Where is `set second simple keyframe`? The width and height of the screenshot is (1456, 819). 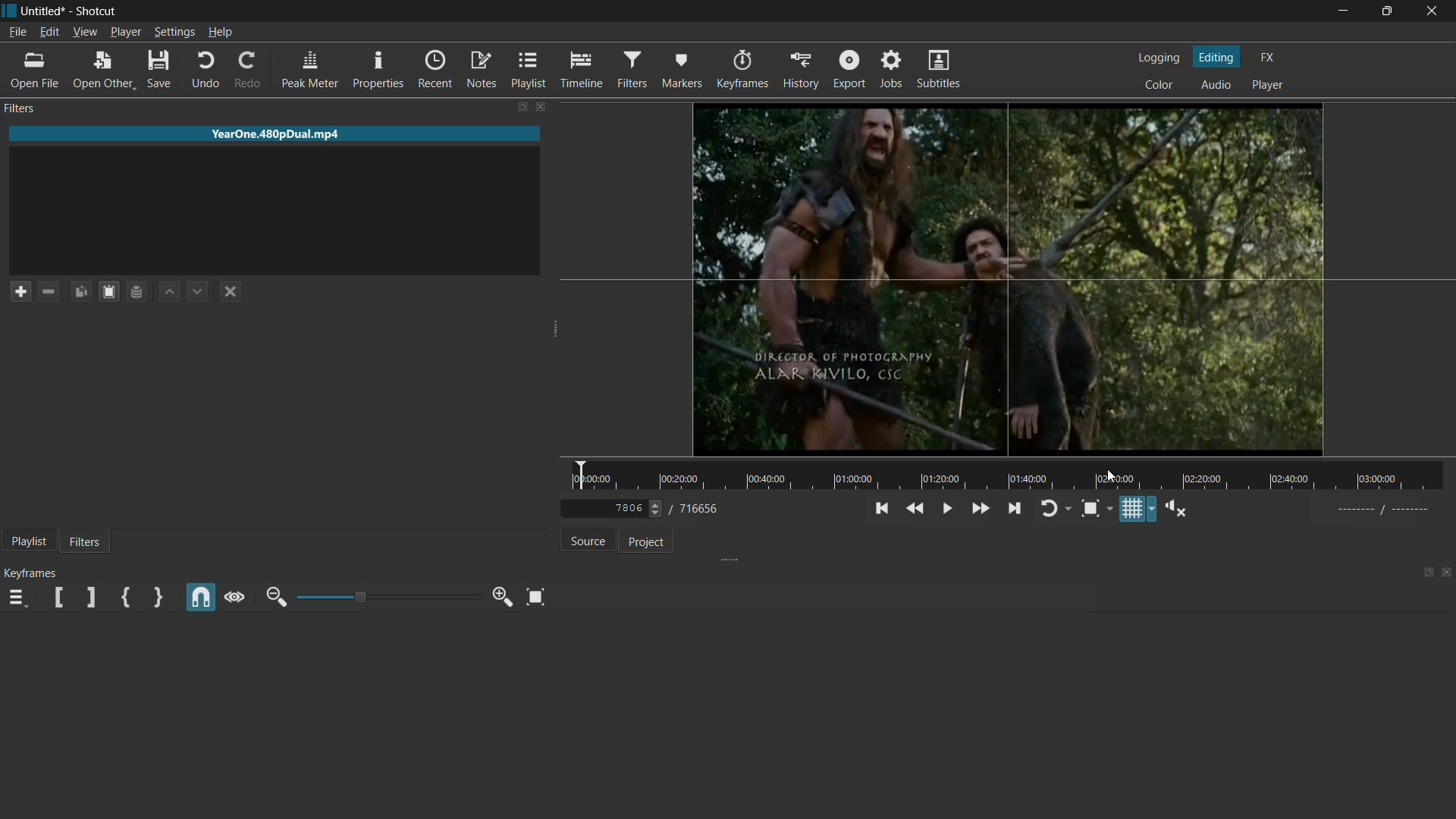 set second simple keyframe is located at coordinates (157, 598).